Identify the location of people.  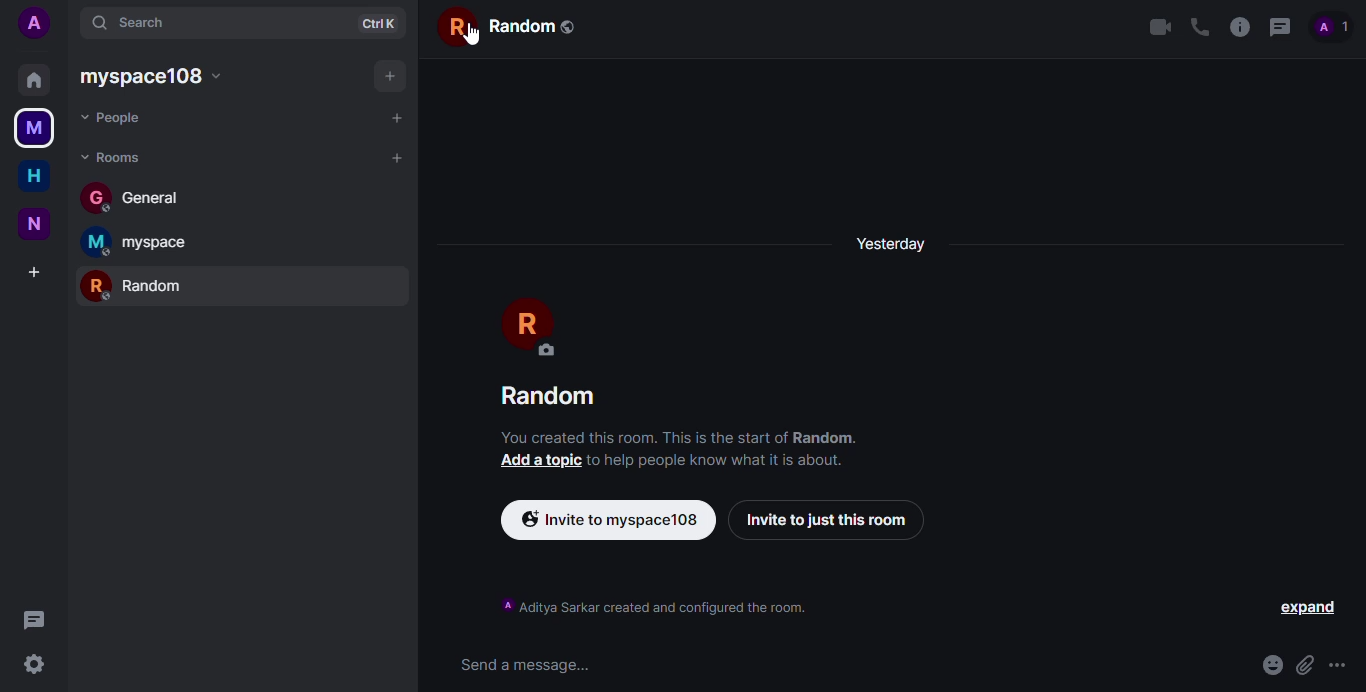
(117, 118).